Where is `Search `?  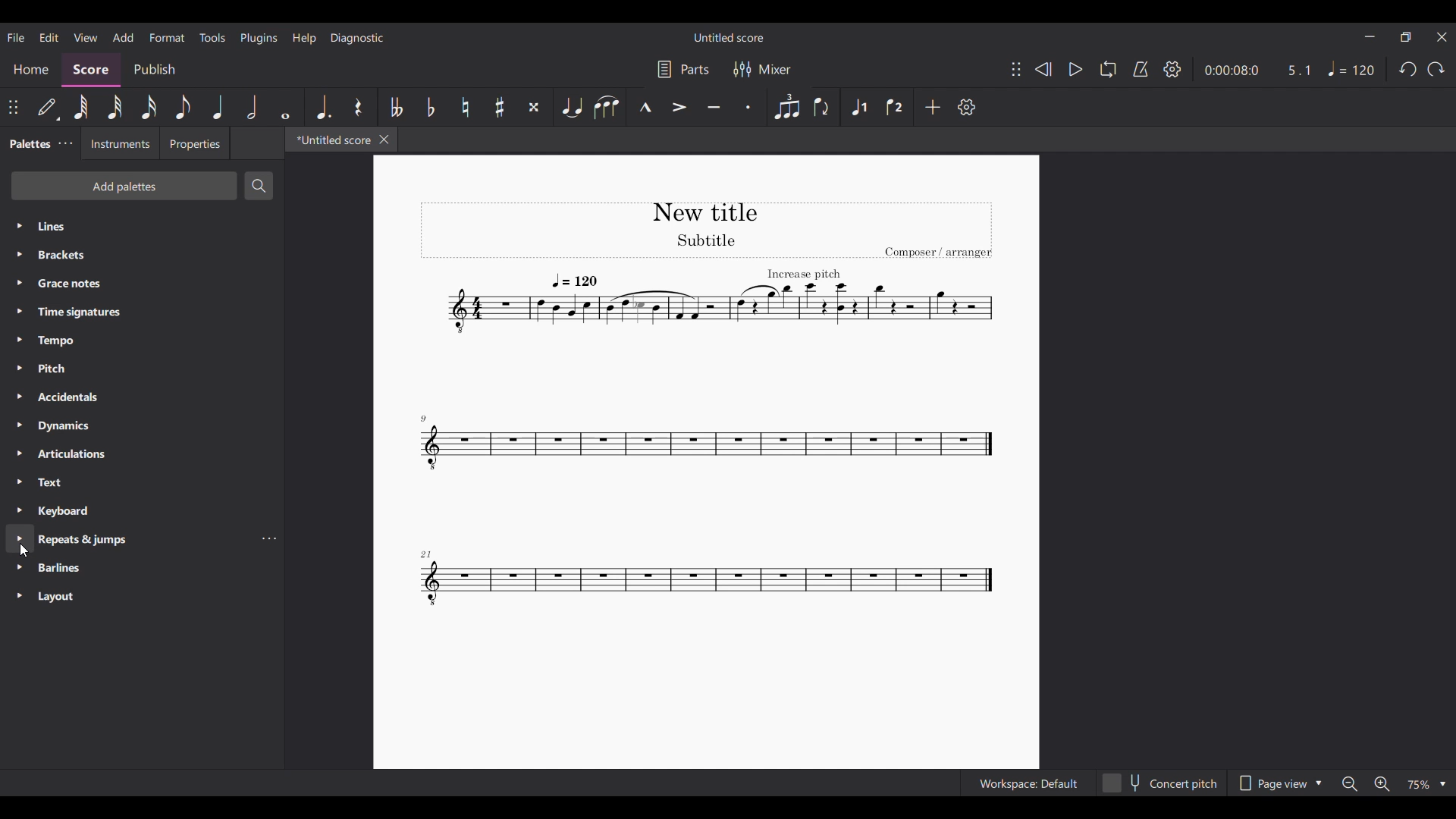 Search  is located at coordinates (259, 186).